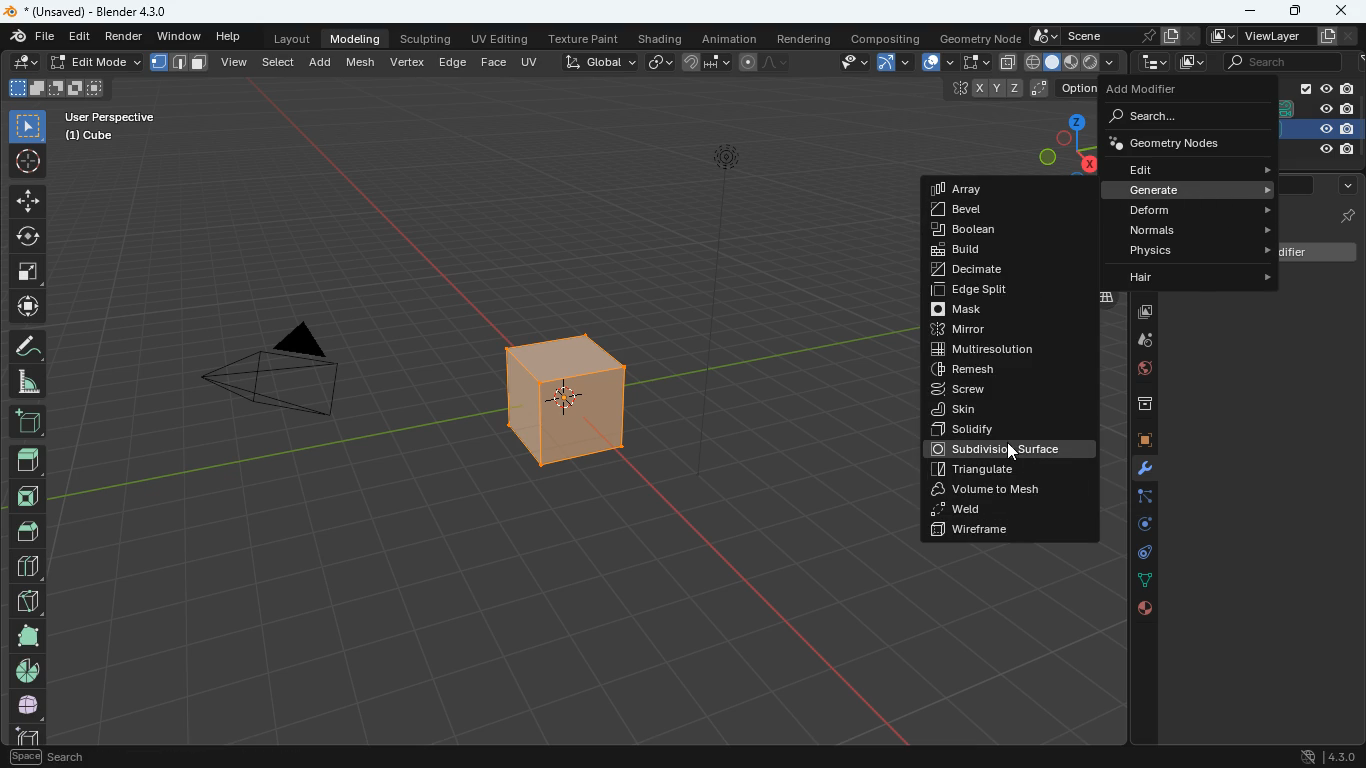 Image resolution: width=1366 pixels, height=768 pixels. Describe the element at coordinates (995, 291) in the screenshot. I see `edge split` at that location.